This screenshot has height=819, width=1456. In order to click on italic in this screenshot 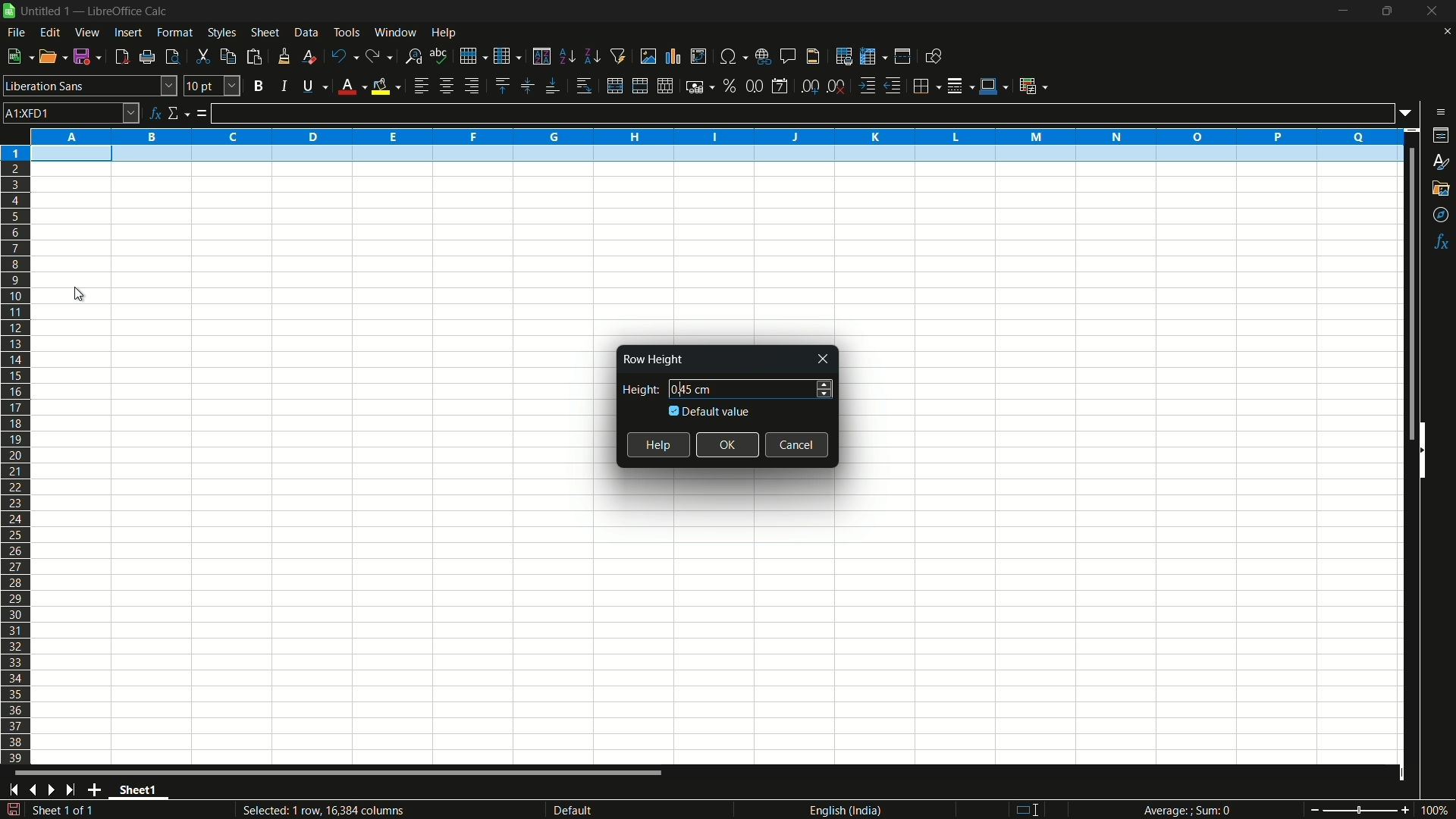, I will do `click(283, 86)`.